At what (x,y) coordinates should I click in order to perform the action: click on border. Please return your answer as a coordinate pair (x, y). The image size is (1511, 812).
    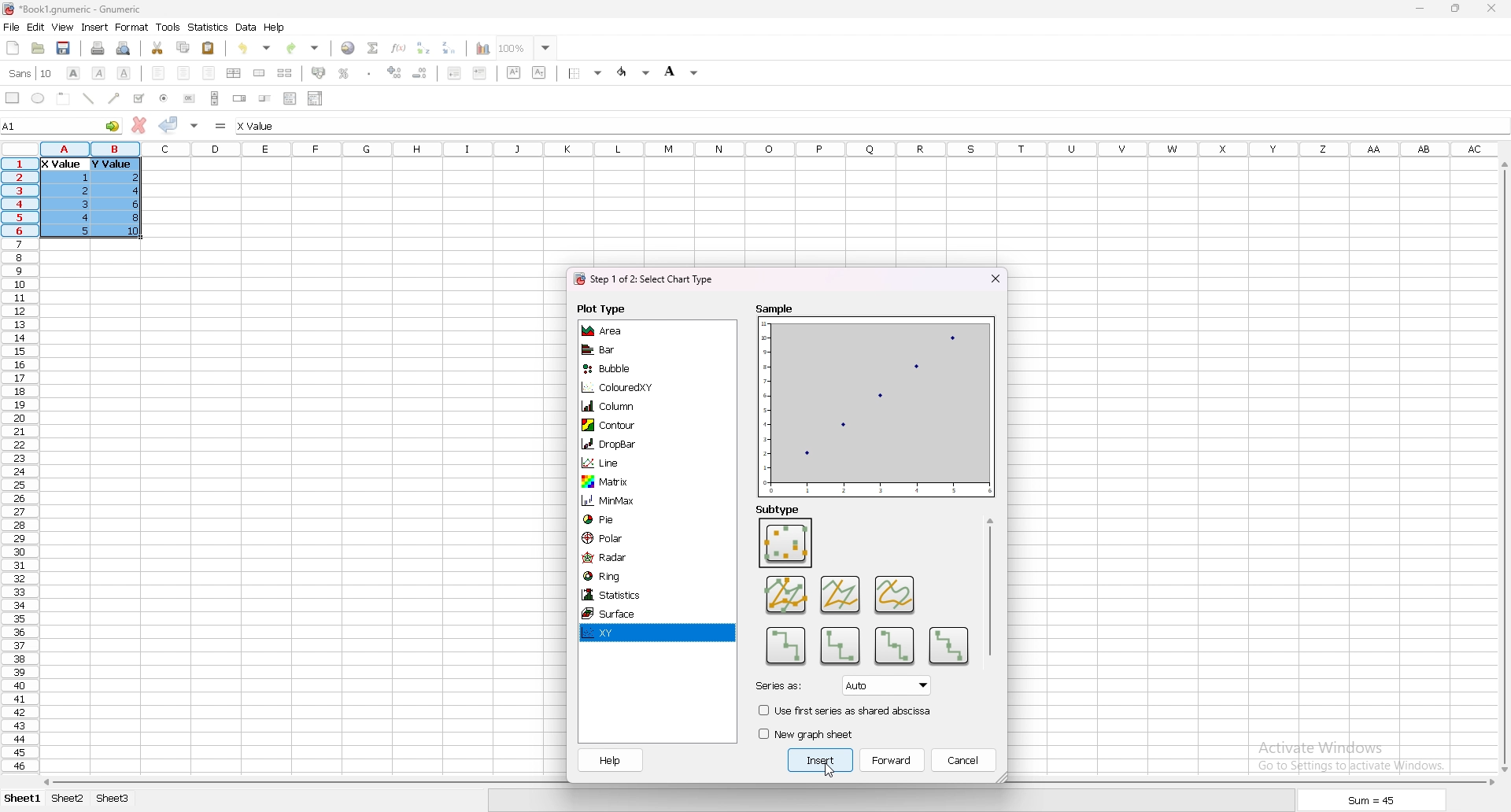
    Looking at the image, I should click on (587, 72).